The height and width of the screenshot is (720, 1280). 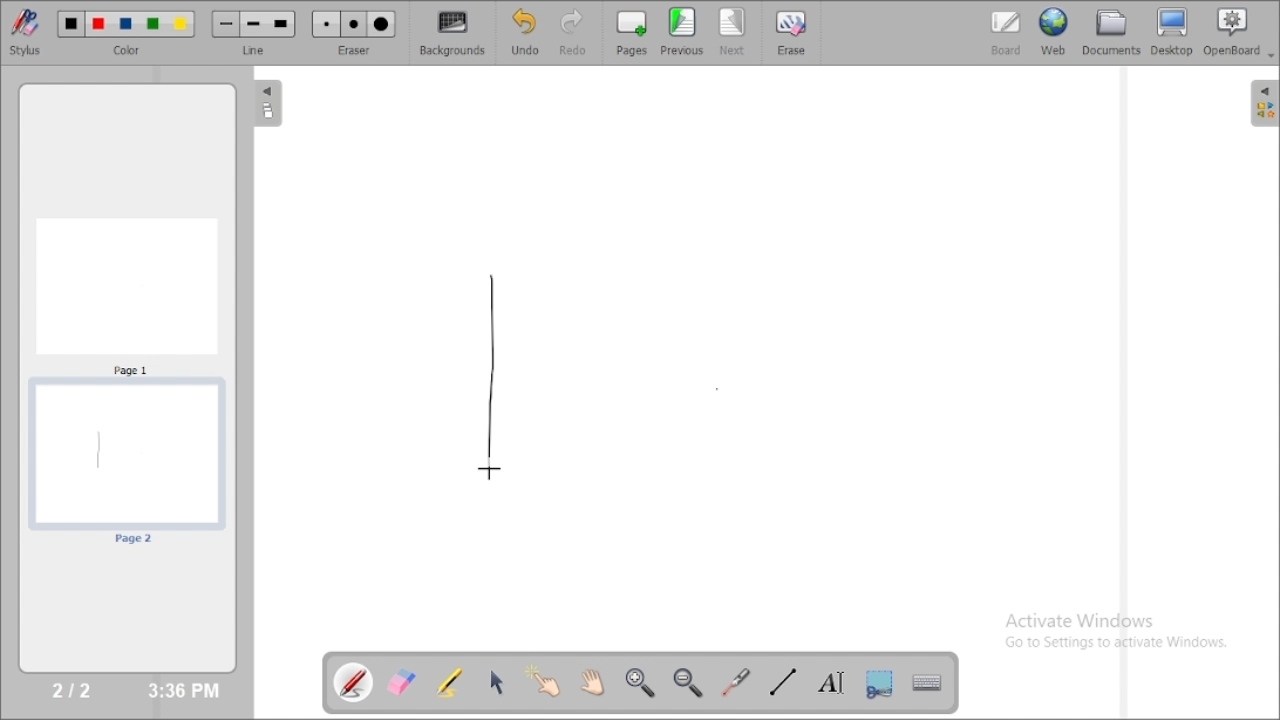 What do you see at coordinates (382, 25) in the screenshot?
I see `Large eraser` at bounding box center [382, 25].